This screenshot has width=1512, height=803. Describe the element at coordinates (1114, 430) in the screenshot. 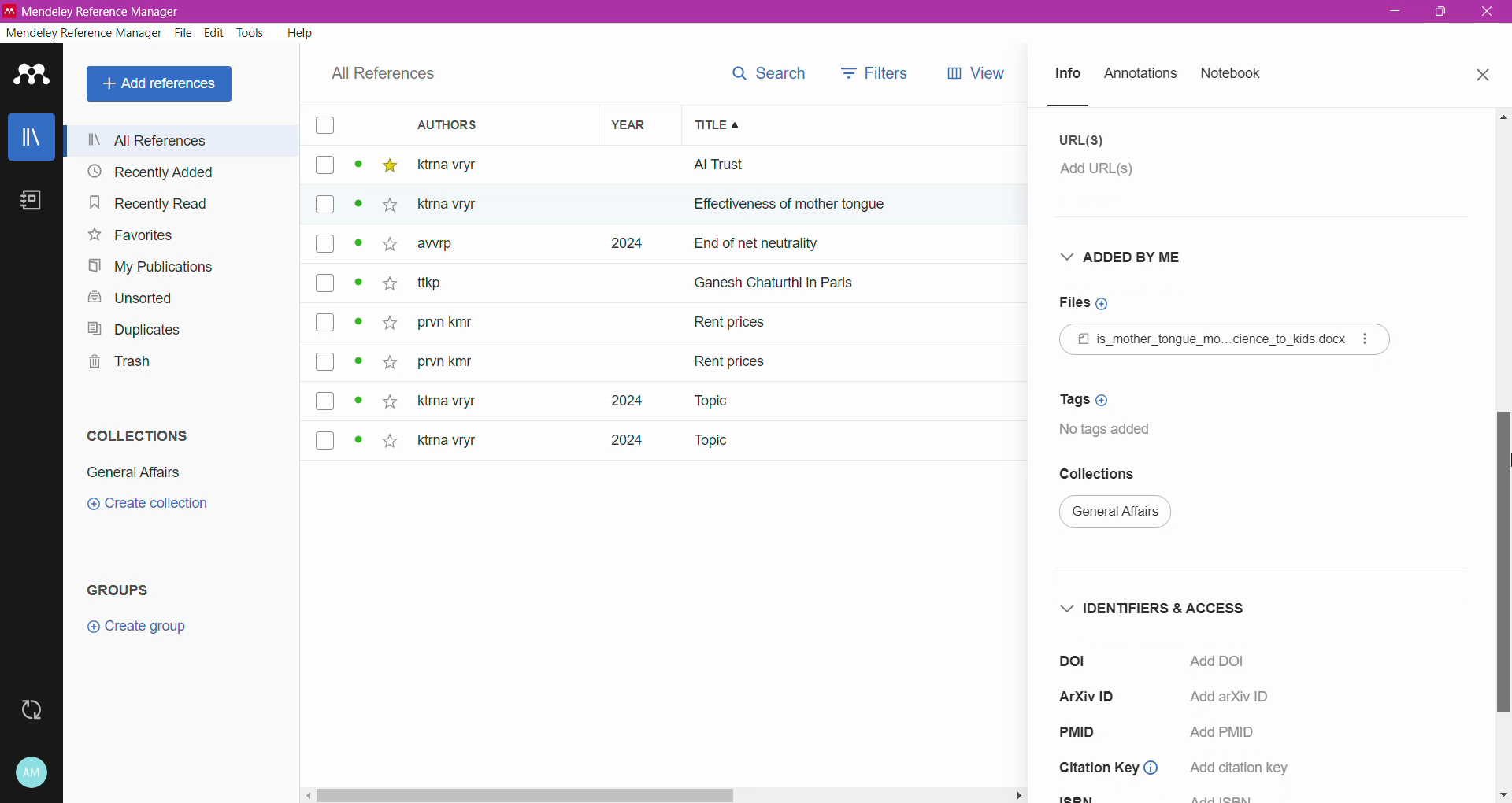

I see `No tags added` at that location.